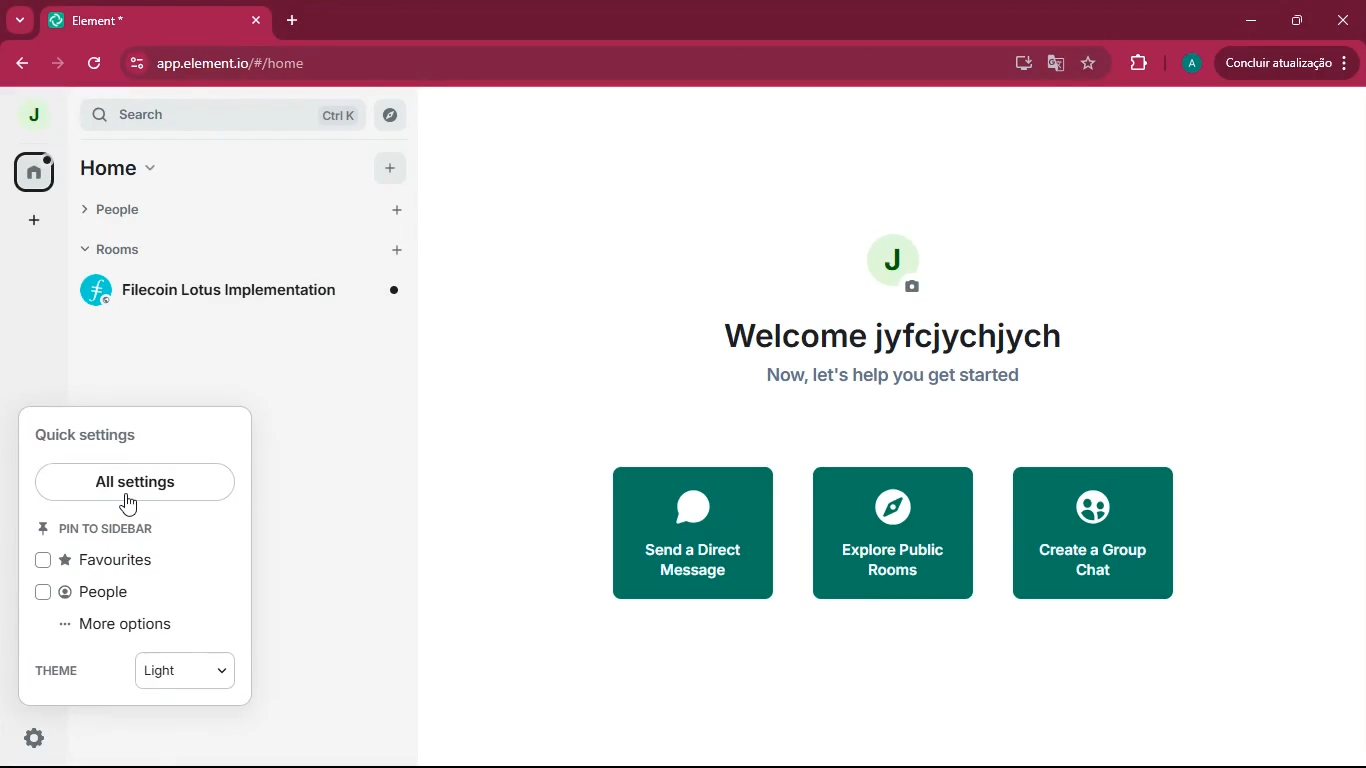 The image size is (1366, 768). Describe the element at coordinates (143, 19) in the screenshot. I see `Element*` at that location.